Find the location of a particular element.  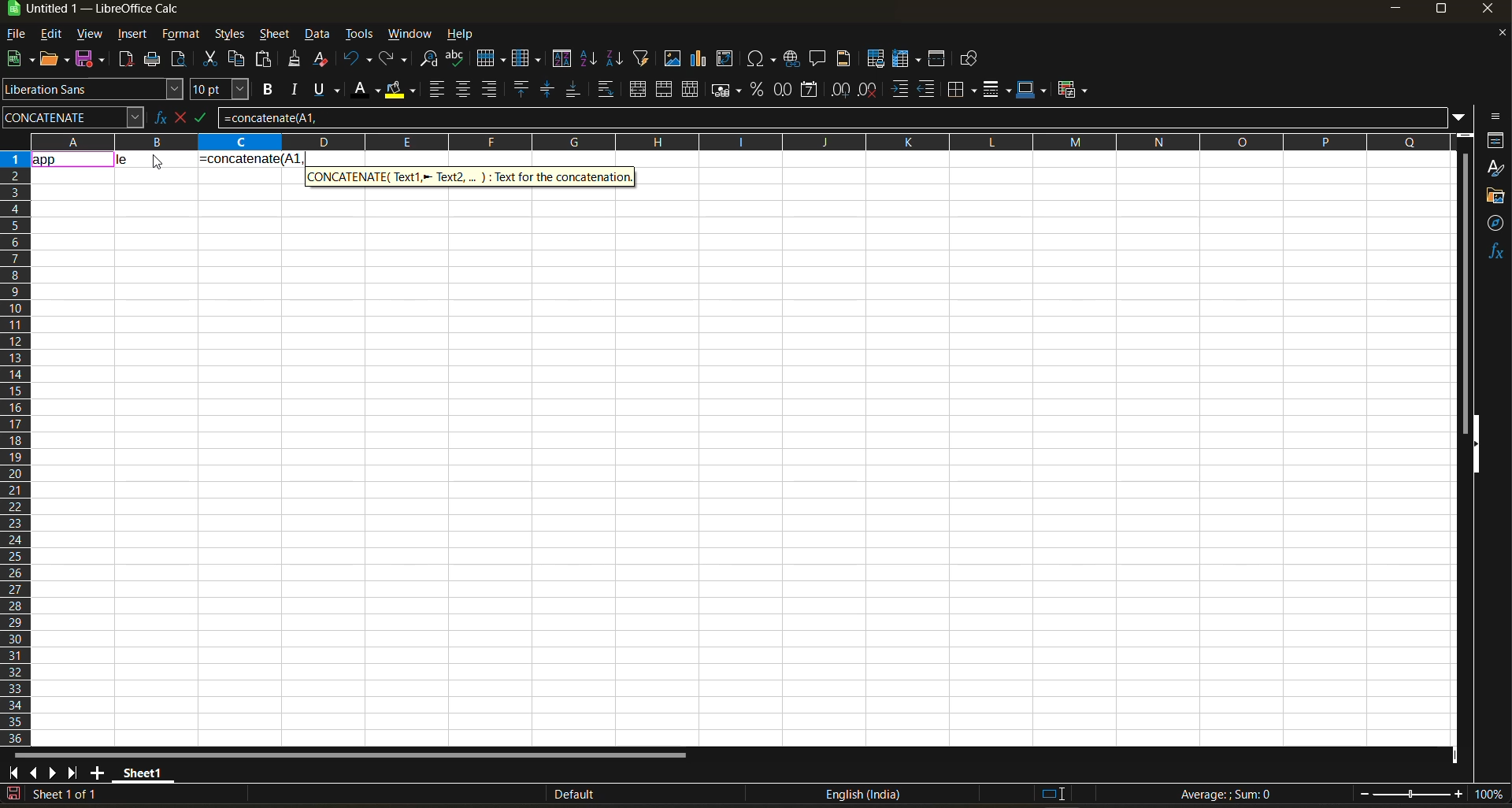

cursor is located at coordinates (159, 163).